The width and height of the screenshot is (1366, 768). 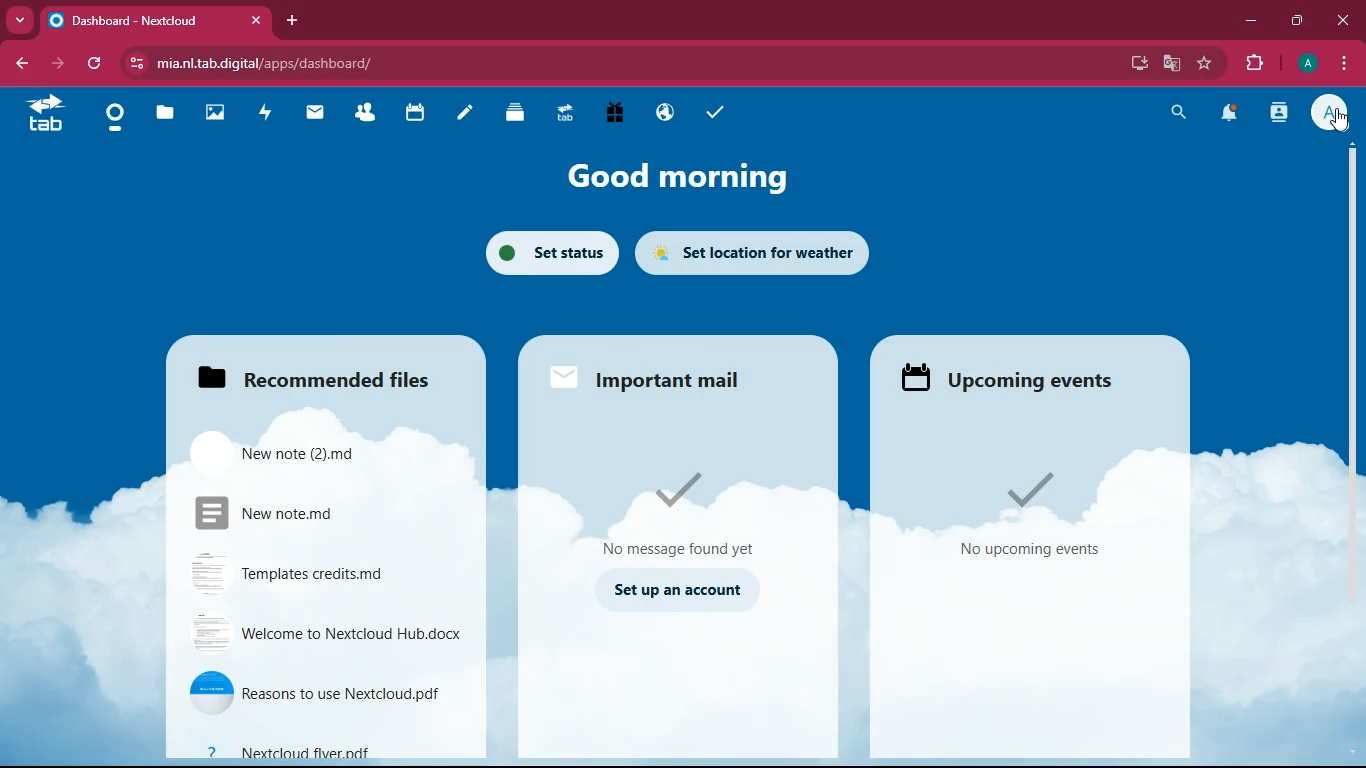 I want to click on layers, so click(x=520, y=114).